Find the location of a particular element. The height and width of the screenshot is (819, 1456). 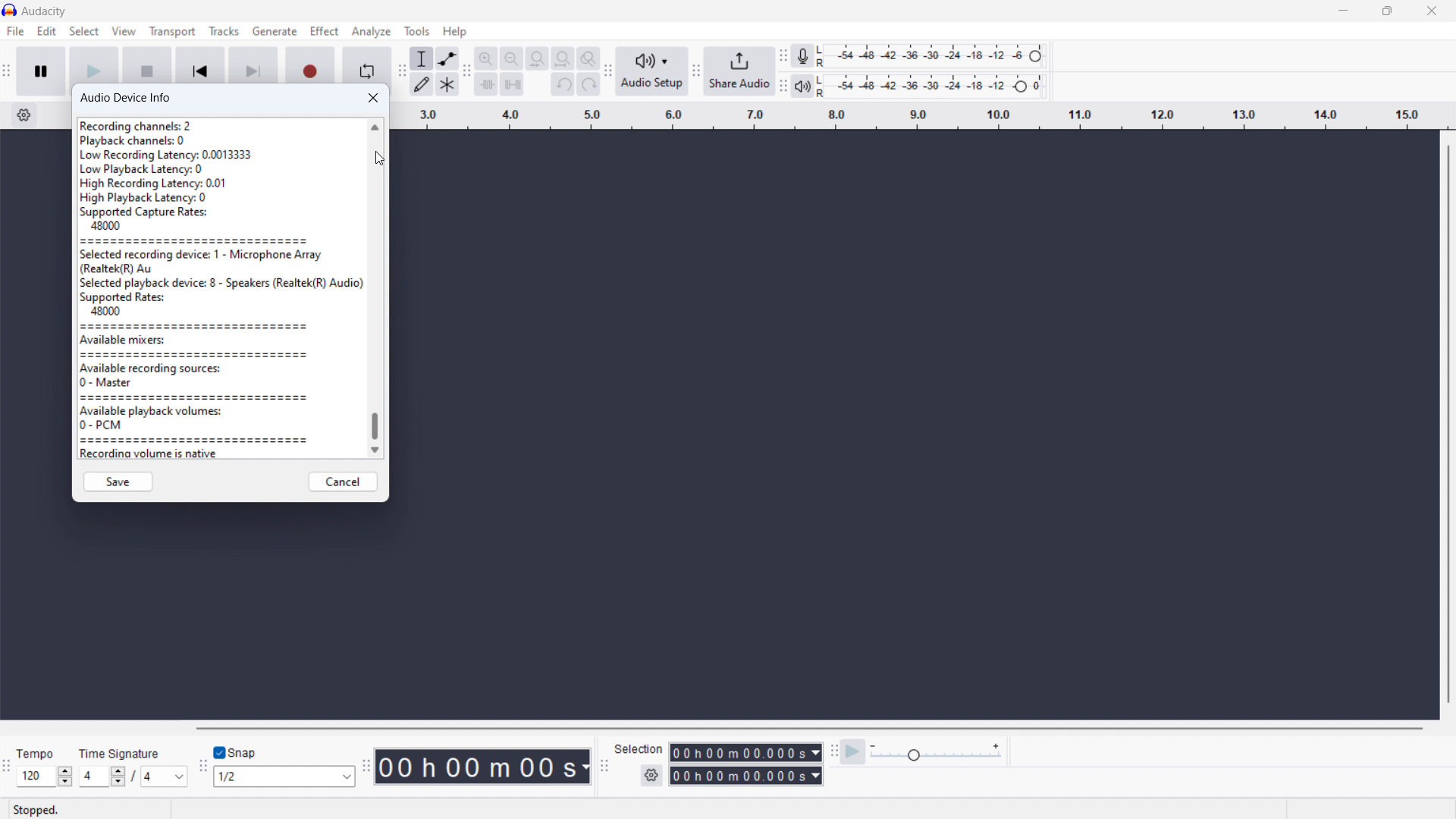

tracks is located at coordinates (223, 31).